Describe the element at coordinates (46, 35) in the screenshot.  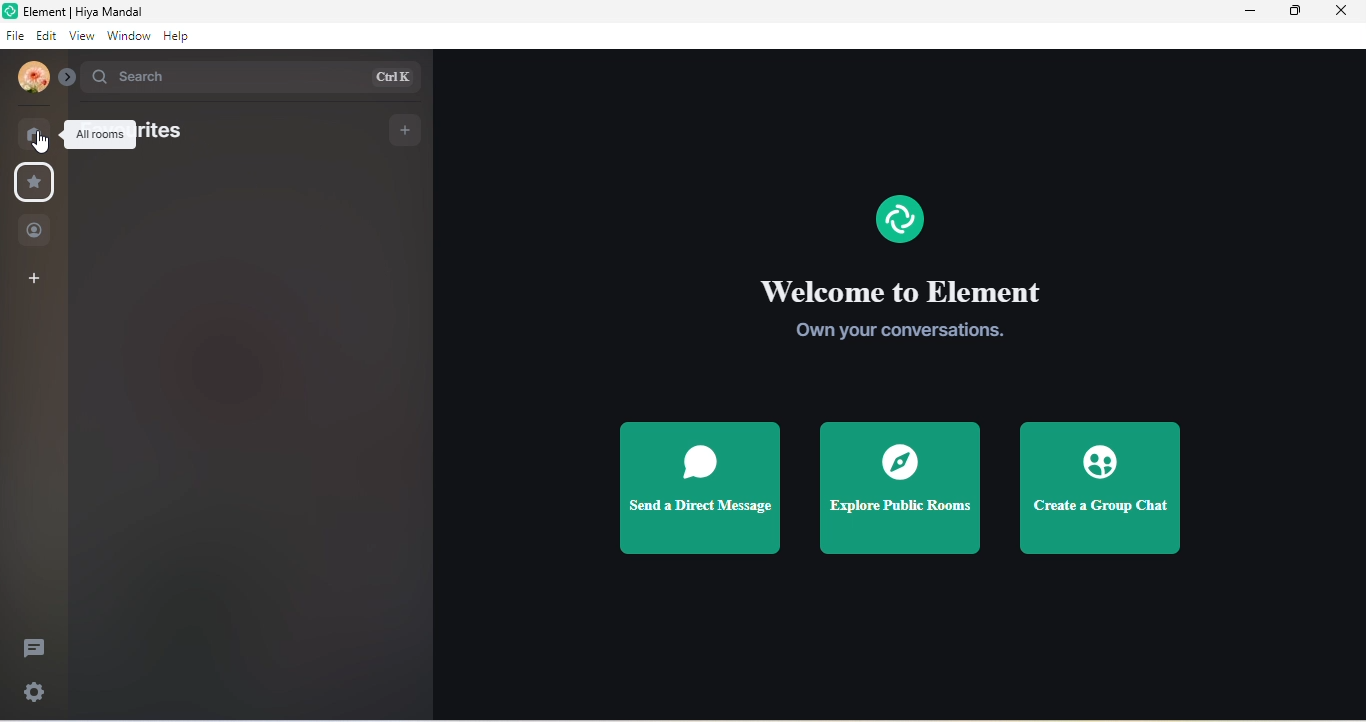
I see `Edit` at that location.